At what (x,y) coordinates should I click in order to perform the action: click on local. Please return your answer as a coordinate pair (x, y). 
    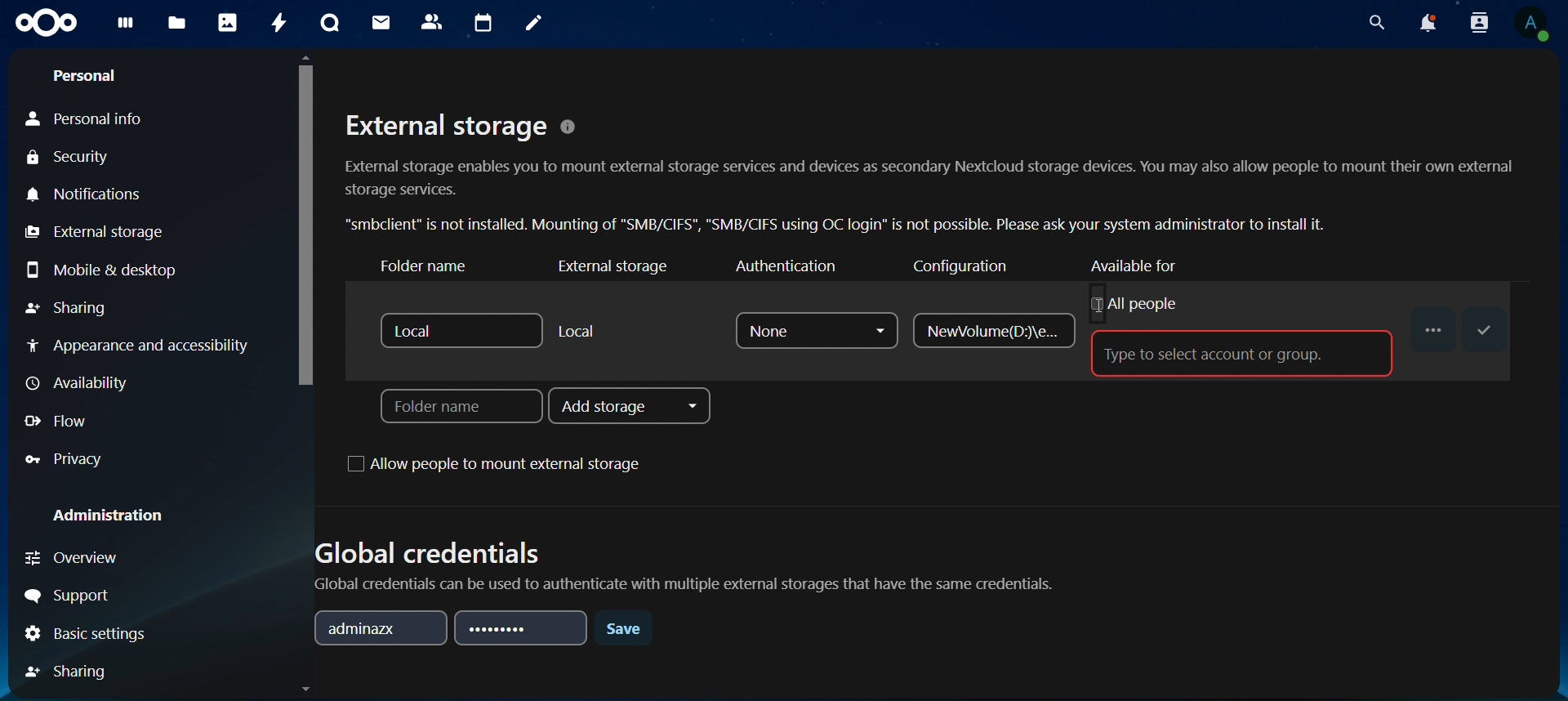
    Looking at the image, I should click on (457, 329).